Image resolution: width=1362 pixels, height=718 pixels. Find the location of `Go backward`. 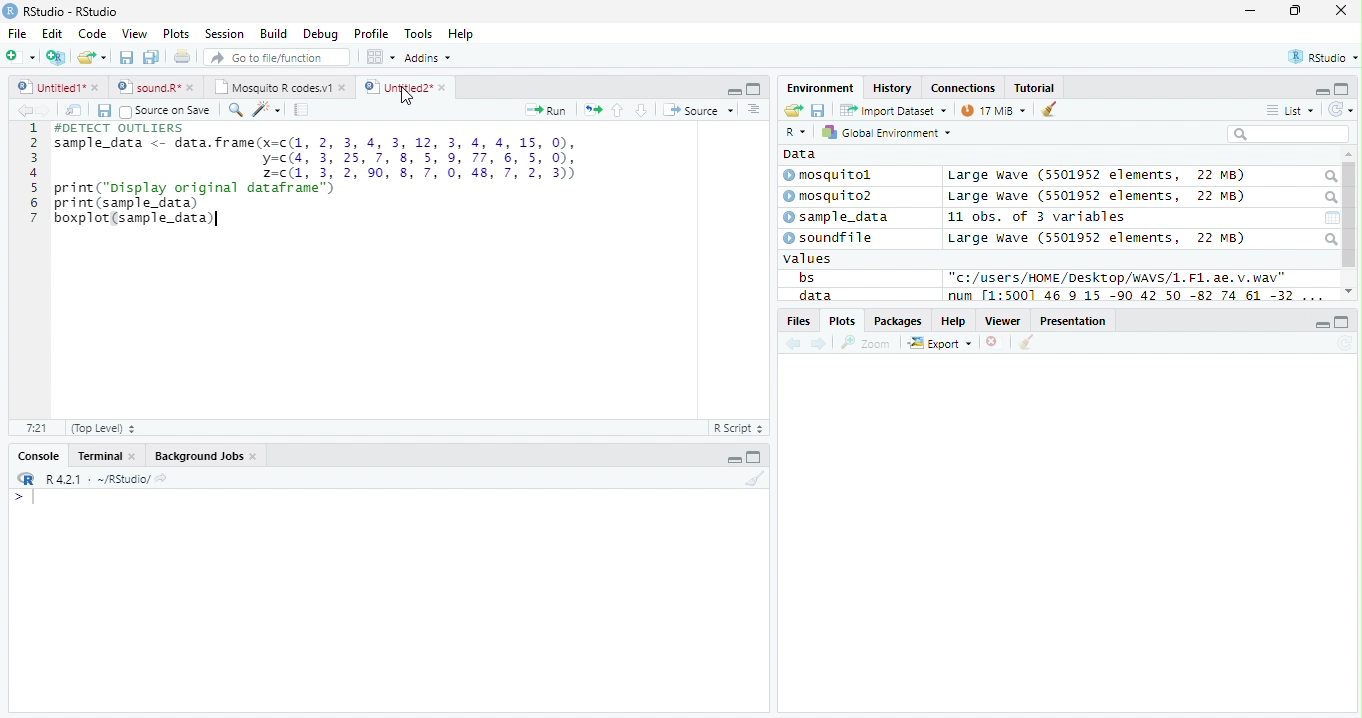

Go backward is located at coordinates (794, 345).